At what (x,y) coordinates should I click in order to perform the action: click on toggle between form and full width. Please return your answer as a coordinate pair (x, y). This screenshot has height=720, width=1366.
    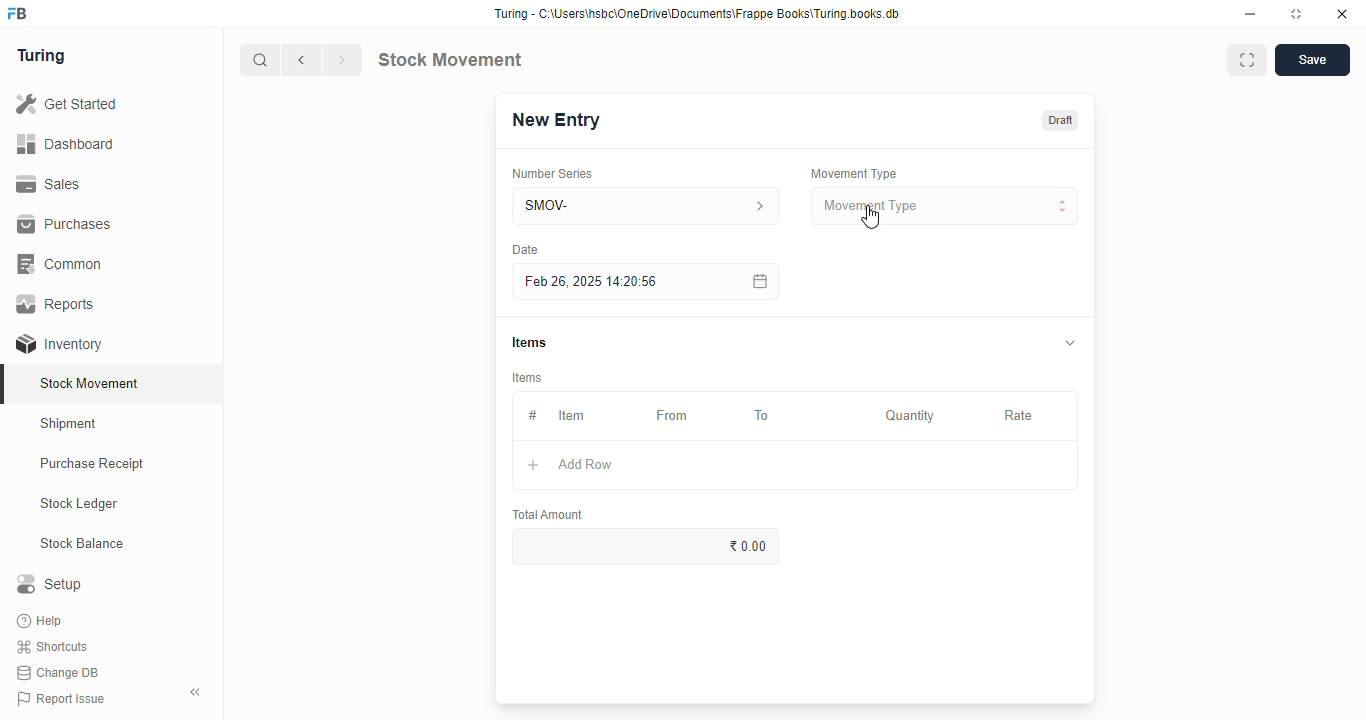
    Looking at the image, I should click on (1247, 60).